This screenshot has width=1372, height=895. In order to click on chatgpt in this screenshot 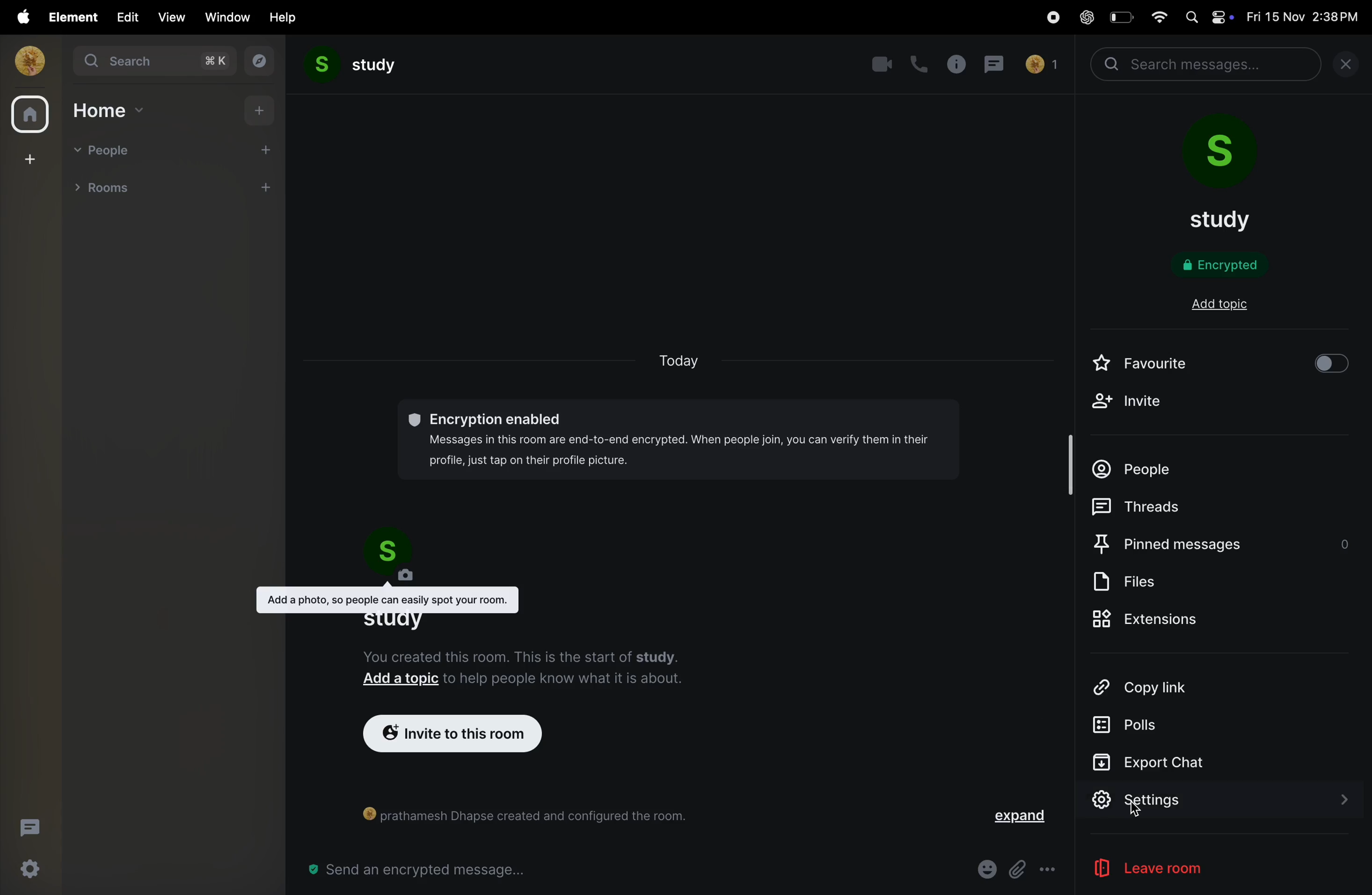, I will do `click(1086, 18)`.